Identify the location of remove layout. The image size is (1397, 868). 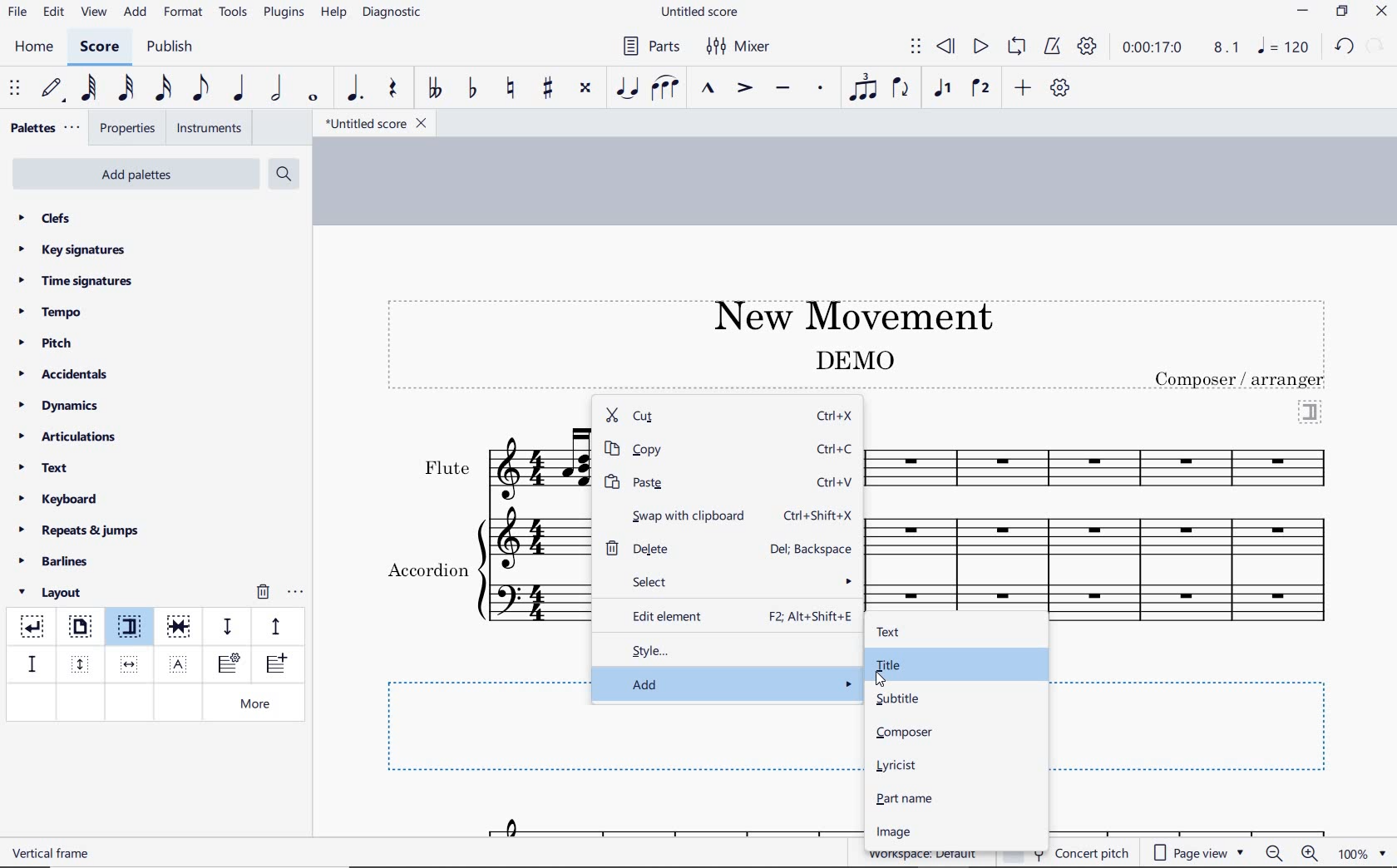
(263, 594).